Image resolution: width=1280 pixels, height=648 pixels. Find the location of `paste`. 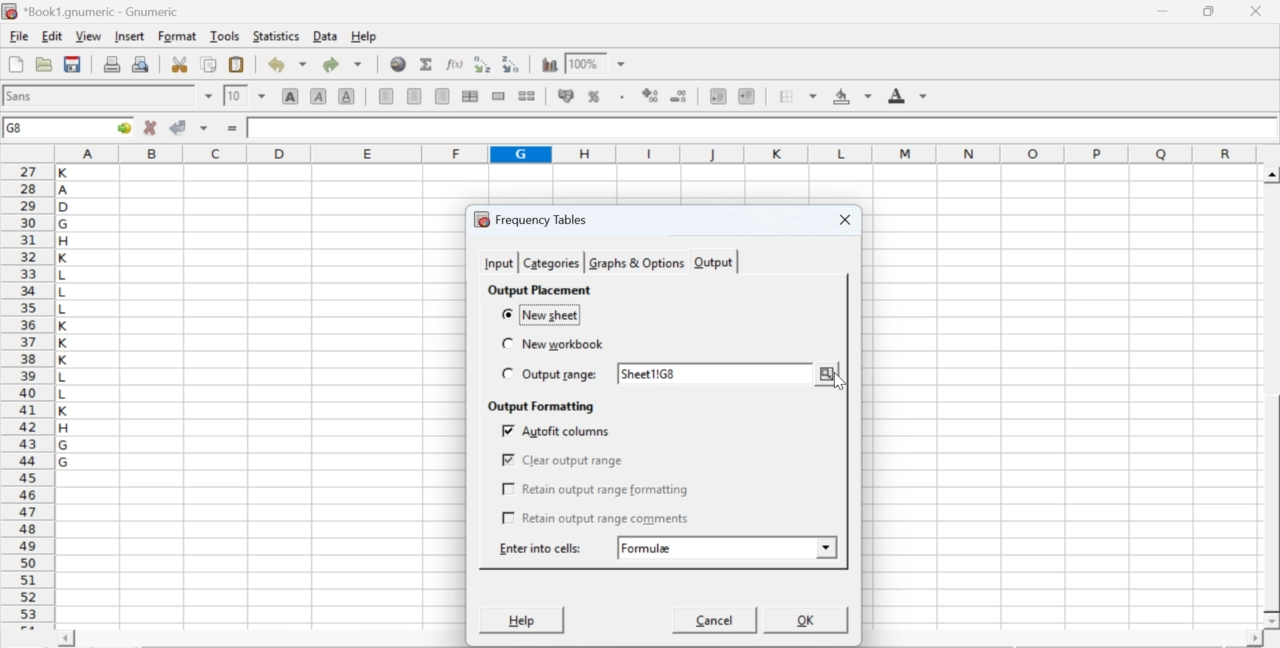

paste is located at coordinates (238, 65).